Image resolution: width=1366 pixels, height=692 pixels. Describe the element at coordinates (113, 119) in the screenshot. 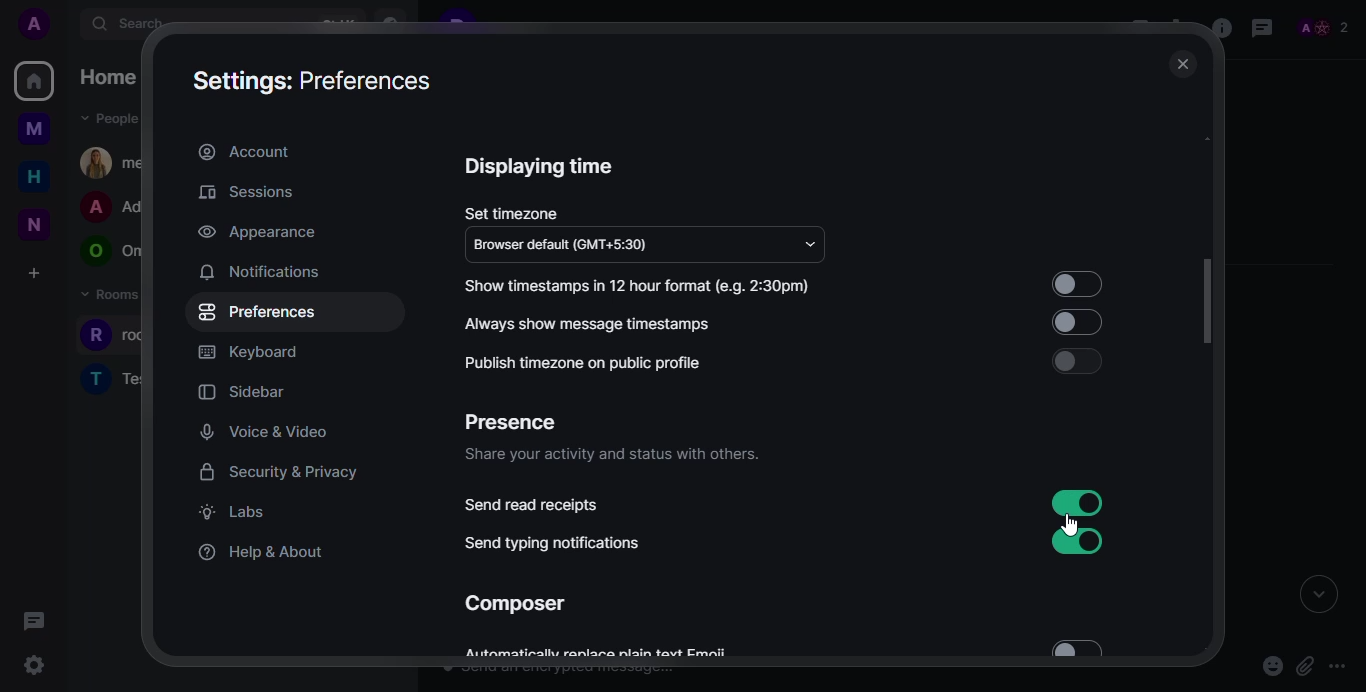

I see `people` at that location.